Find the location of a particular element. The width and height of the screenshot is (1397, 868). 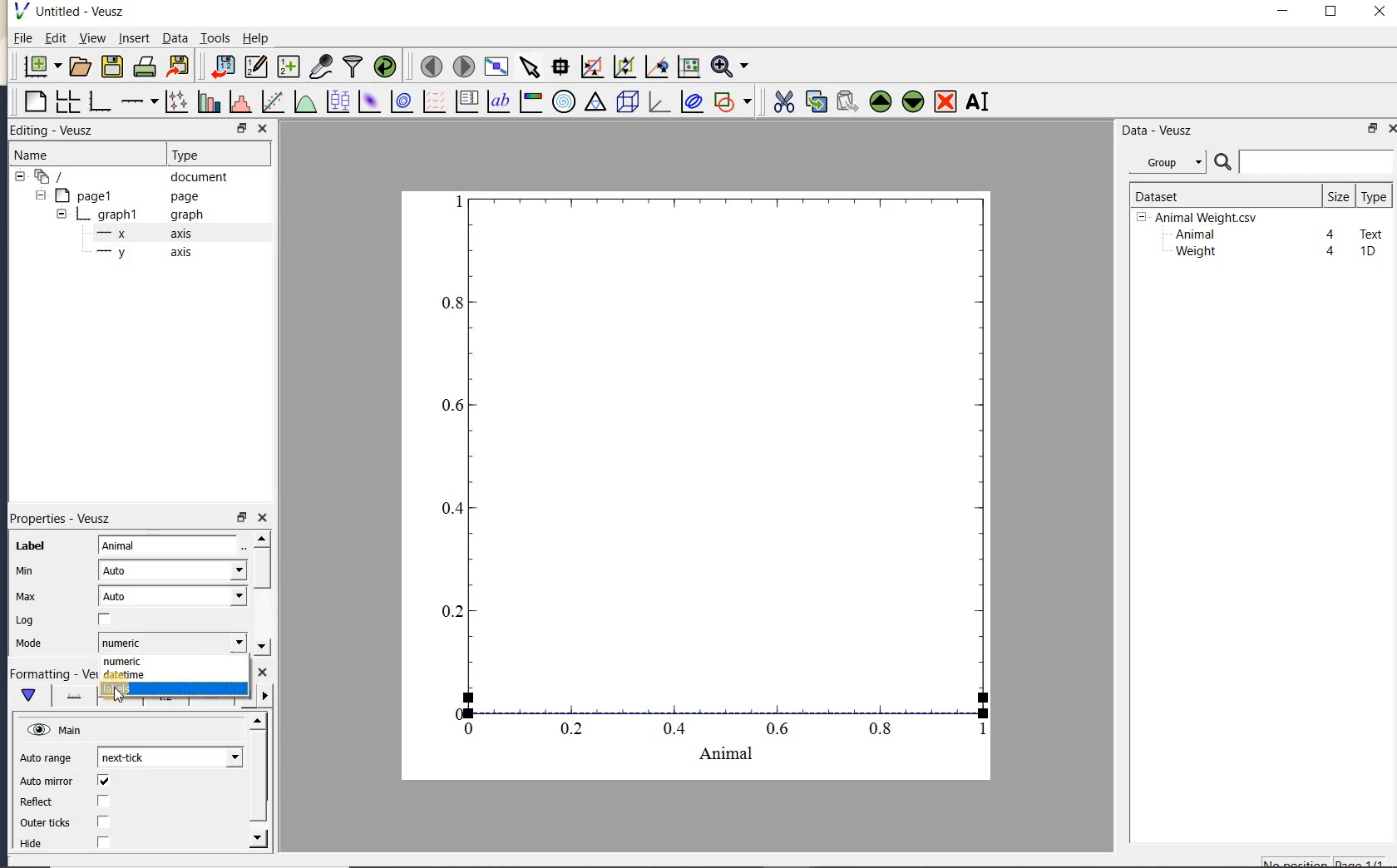

filter data is located at coordinates (353, 65).